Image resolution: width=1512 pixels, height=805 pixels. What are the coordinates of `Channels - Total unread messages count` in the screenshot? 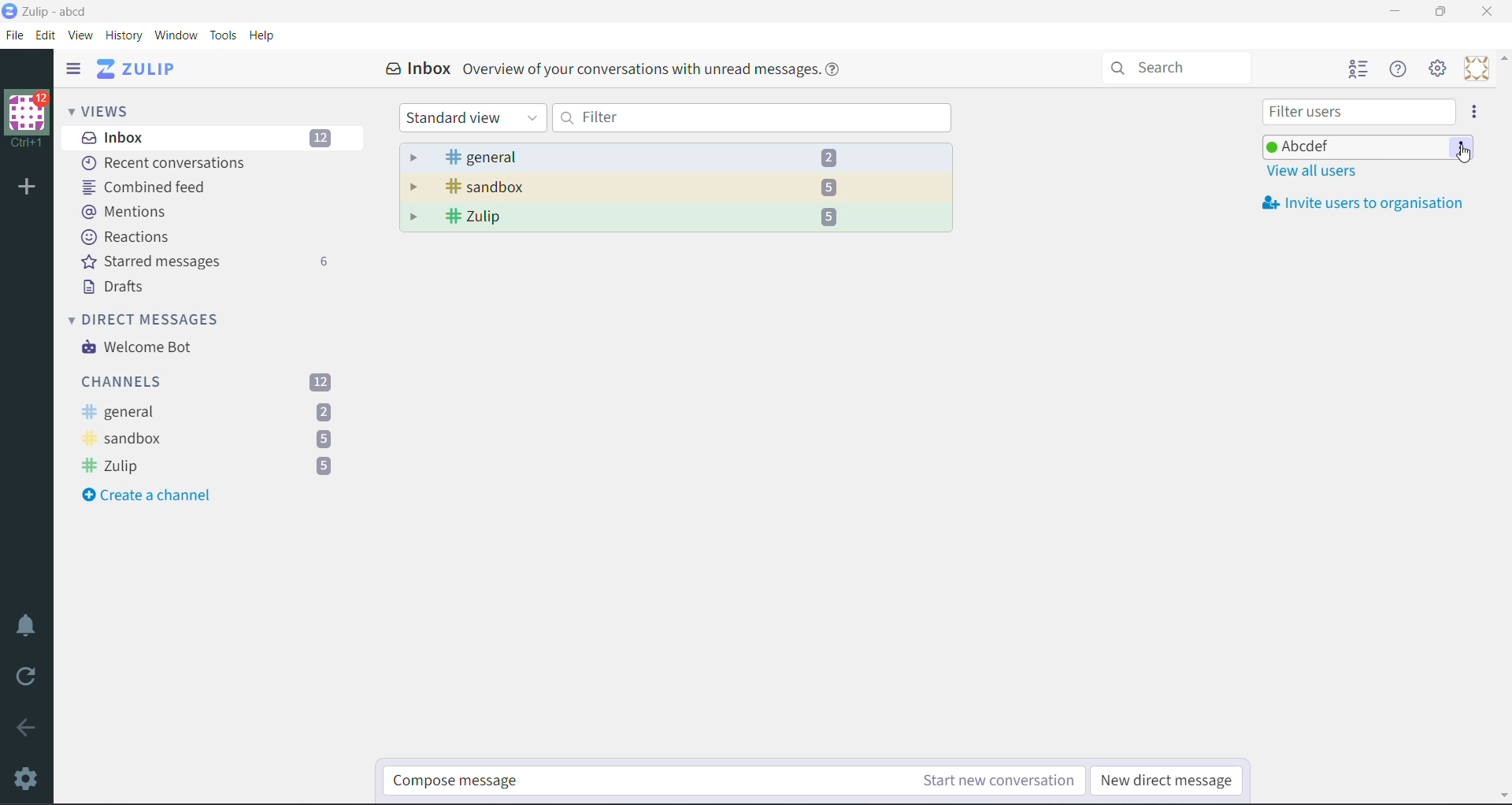 It's located at (210, 383).